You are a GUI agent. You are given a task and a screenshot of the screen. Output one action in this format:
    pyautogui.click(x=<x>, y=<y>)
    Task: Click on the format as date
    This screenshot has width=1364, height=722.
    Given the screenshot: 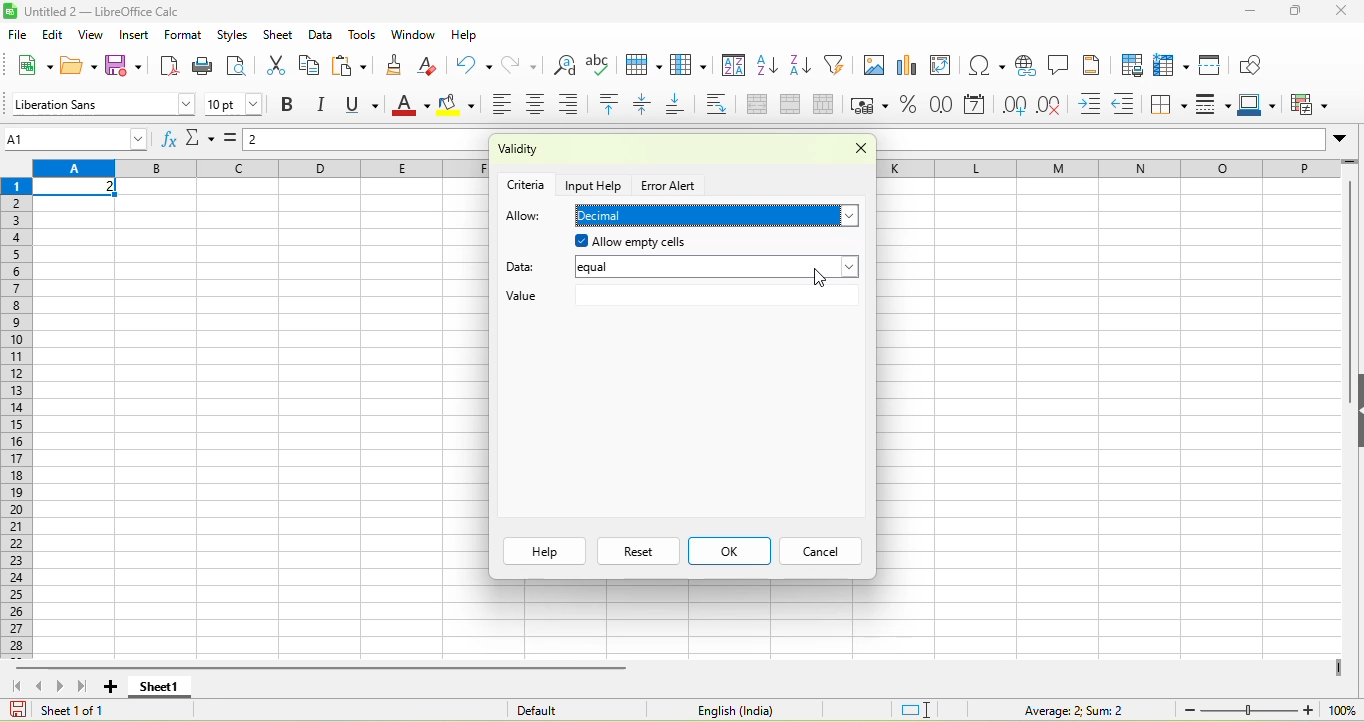 What is the action you would take?
    pyautogui.click(x=976, y=106)
    